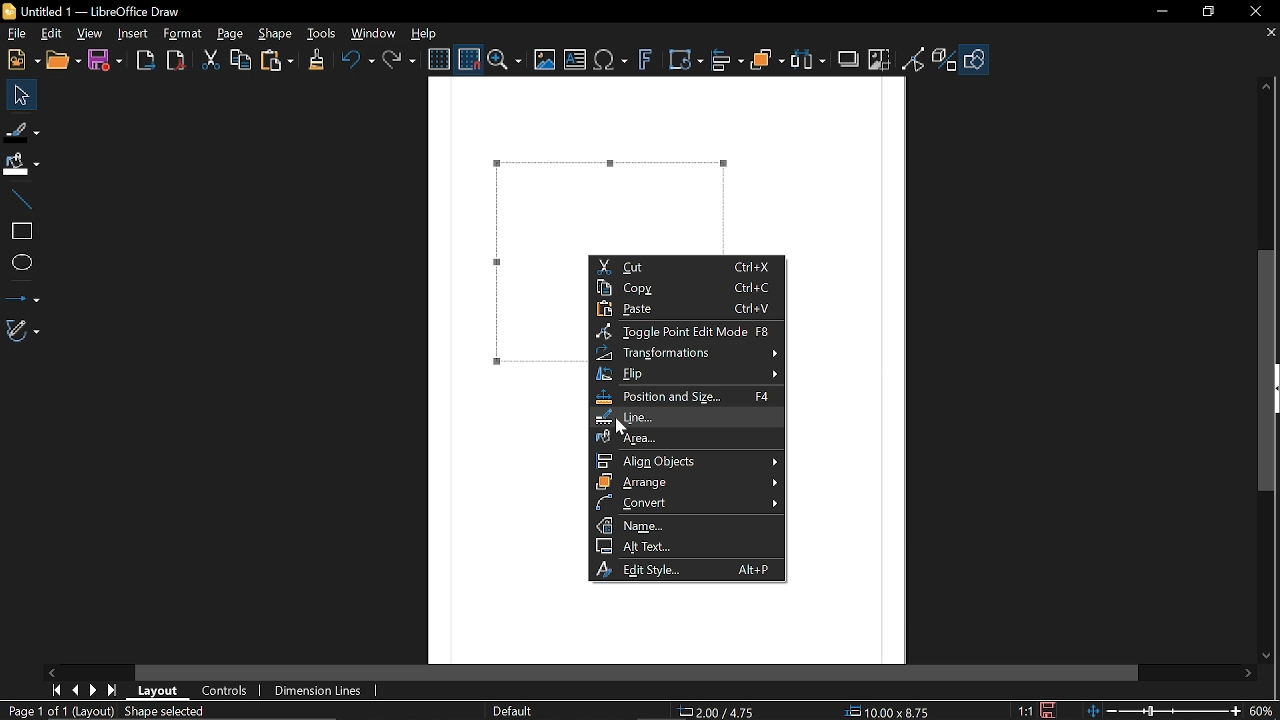 This screenshot has height=720, width=1280. I want to click on Tools, so click(322, 33).